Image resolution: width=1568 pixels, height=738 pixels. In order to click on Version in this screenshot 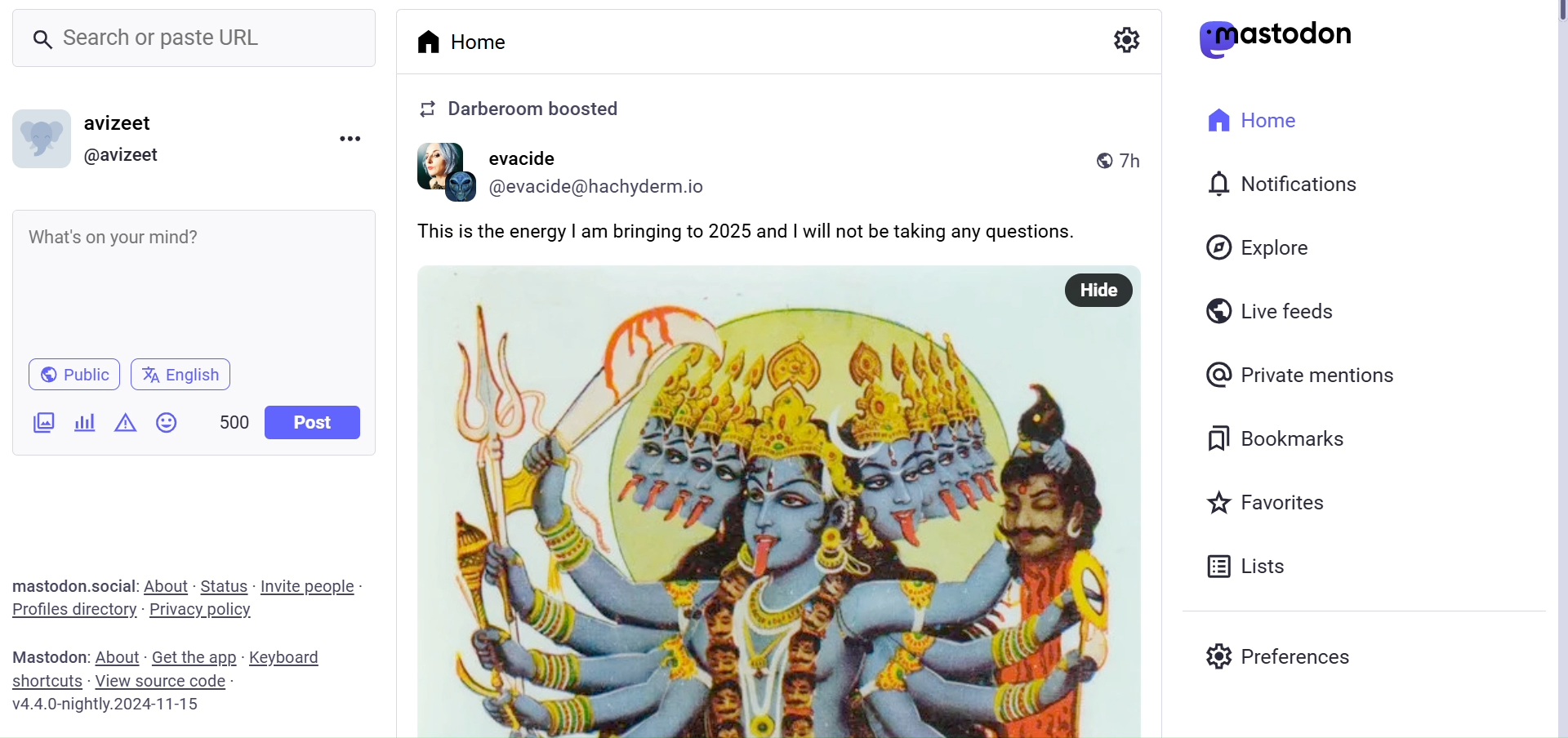, I will do `click(109, 705)`.